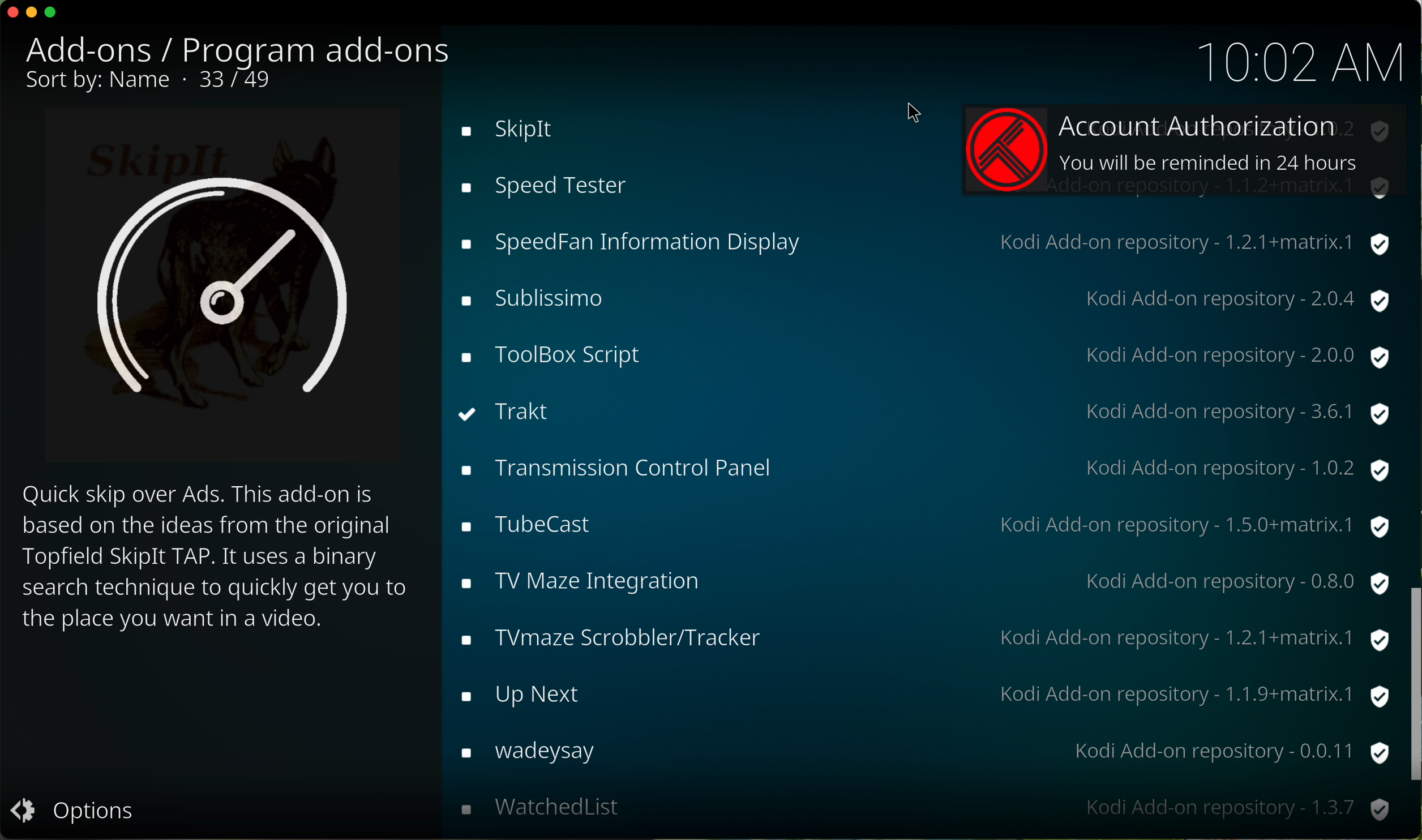 The height and width of the screenshot is (840, 1422). What do you see at coordinates (918, 354) in the screenshot?
I see `tv maze integration` at bounding box center [918, 354].